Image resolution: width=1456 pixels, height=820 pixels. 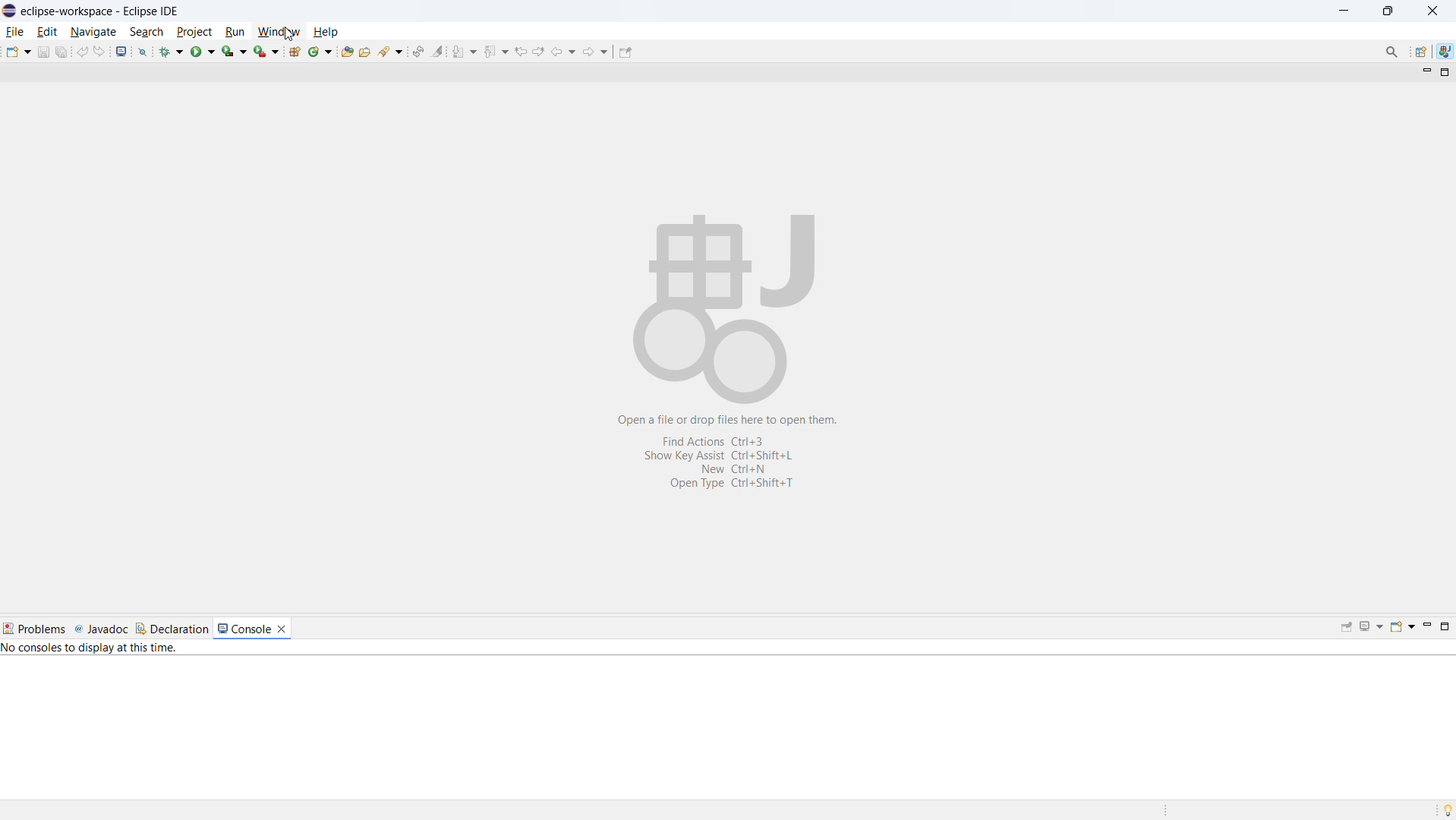 I want to click on run, so click(x=203, y=52).